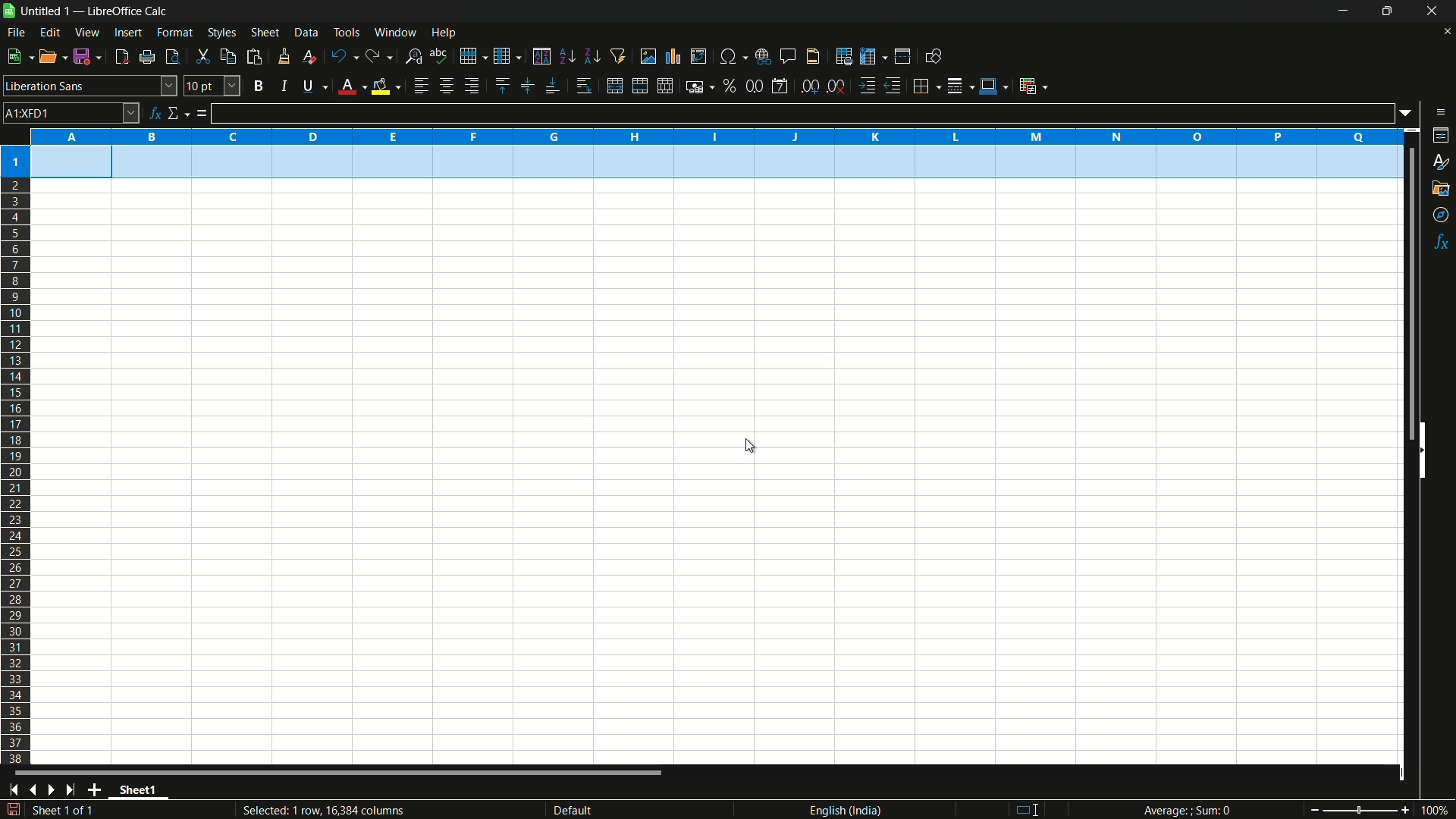  Describe the element at coordinates (202, 115) in the screenshot. I see `formula` at that location.